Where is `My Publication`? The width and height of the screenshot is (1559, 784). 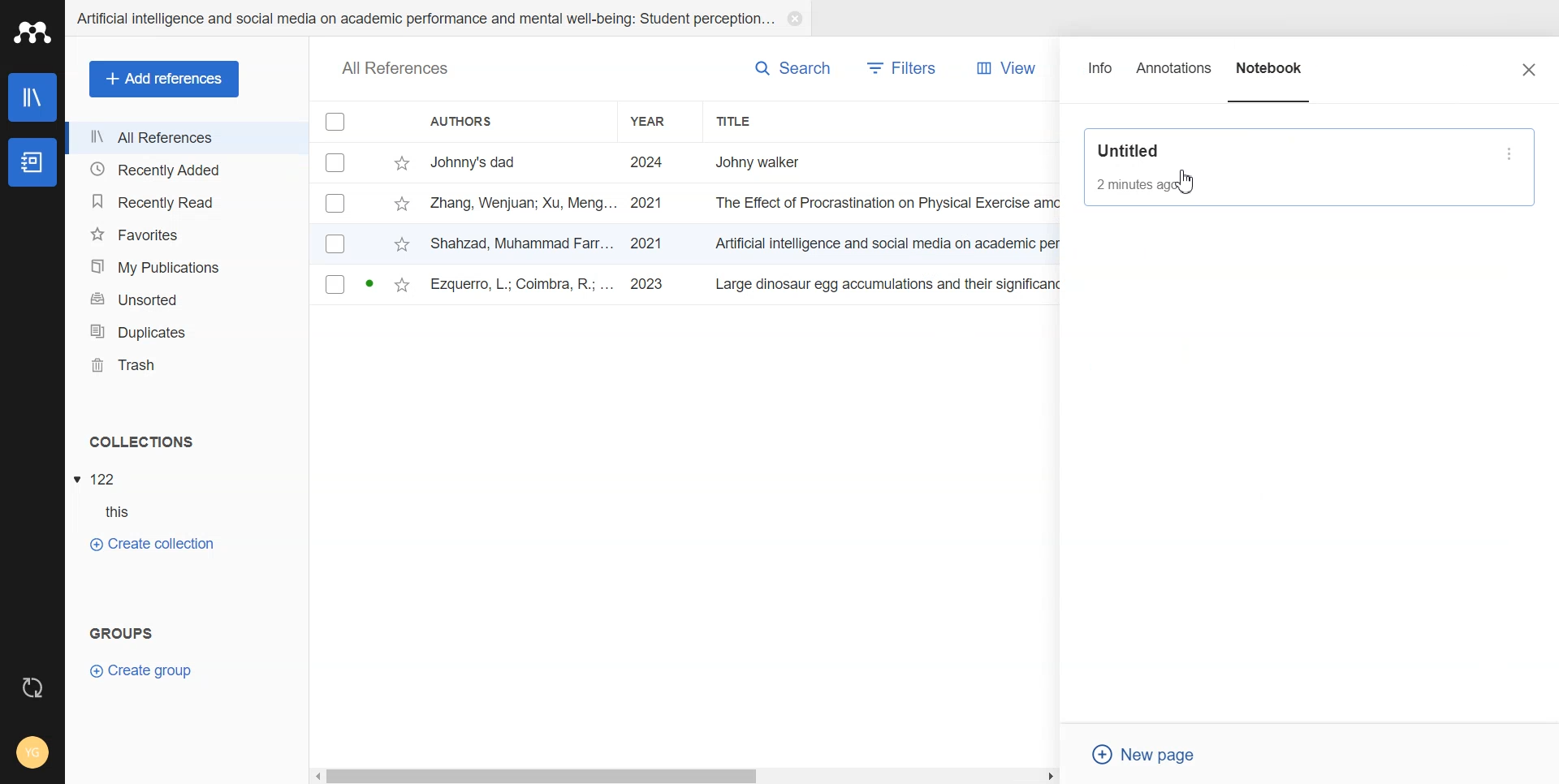
My Publication is located at coordinates (187, 267).